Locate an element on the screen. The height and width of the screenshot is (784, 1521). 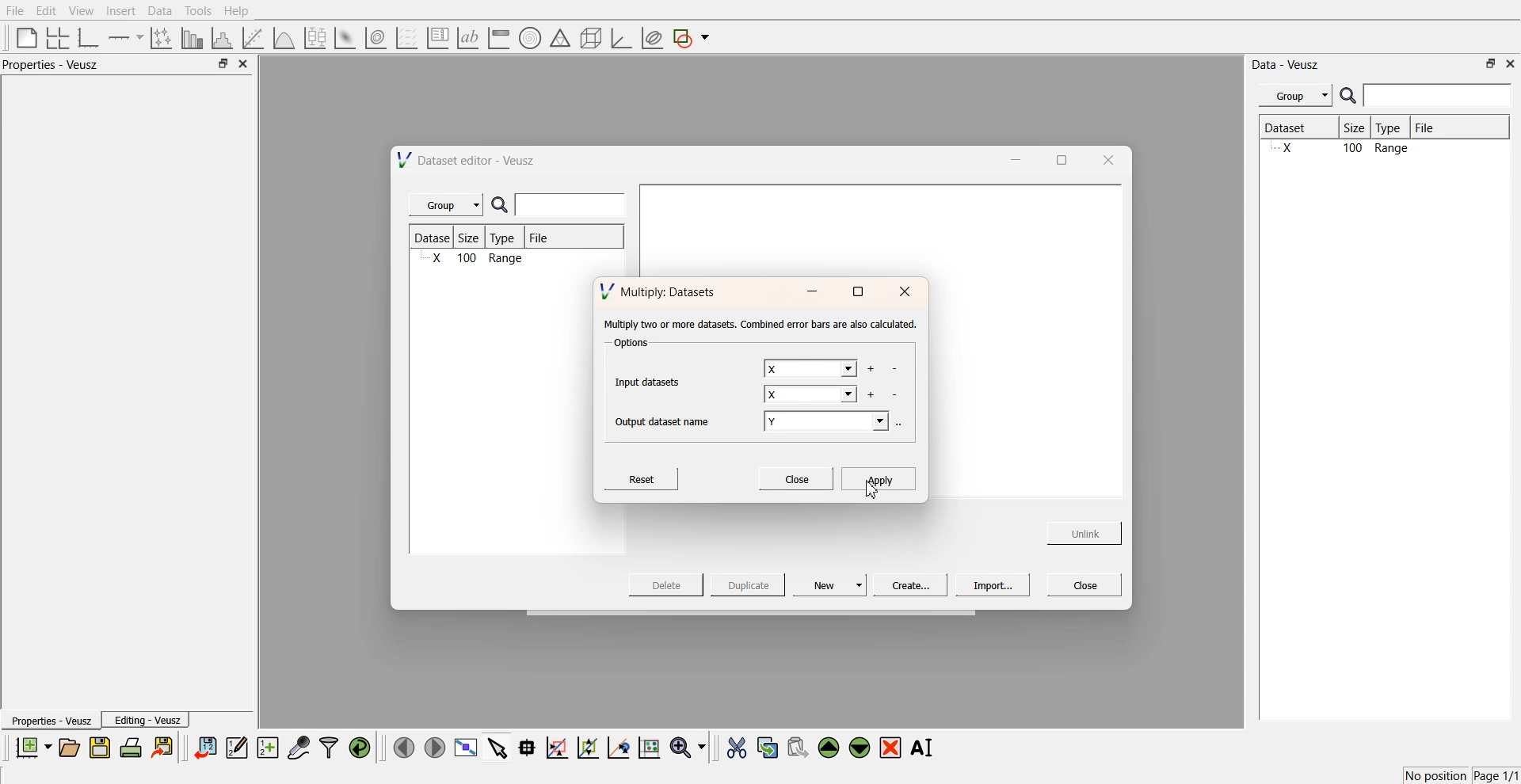
minimise is located at coordinates (1012, 158).